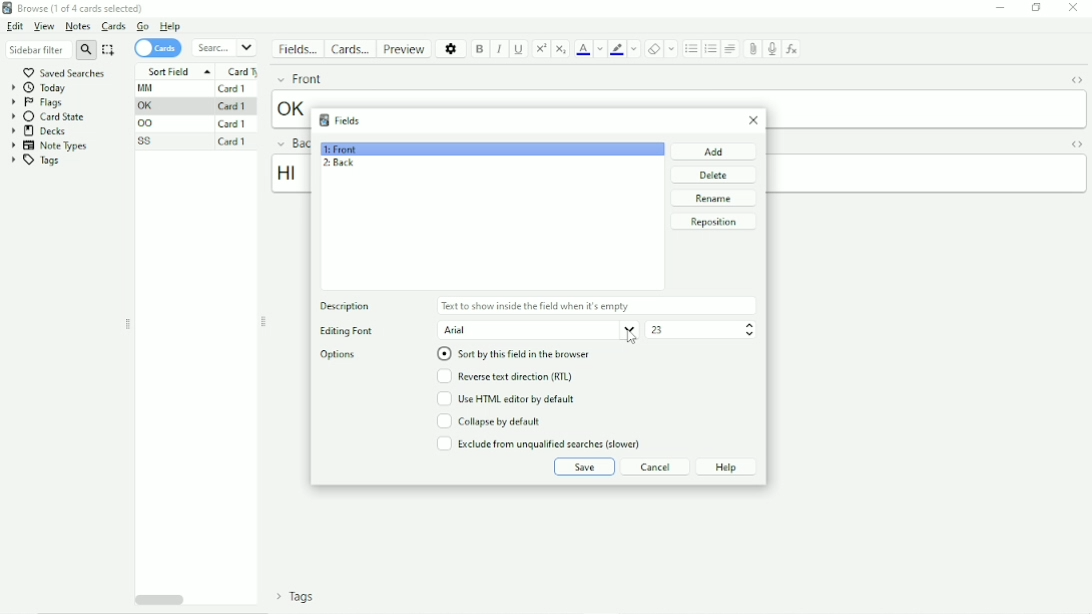  Describe the element at coordinates (243, 71) in the screenshot. I see `Card type` at that location.